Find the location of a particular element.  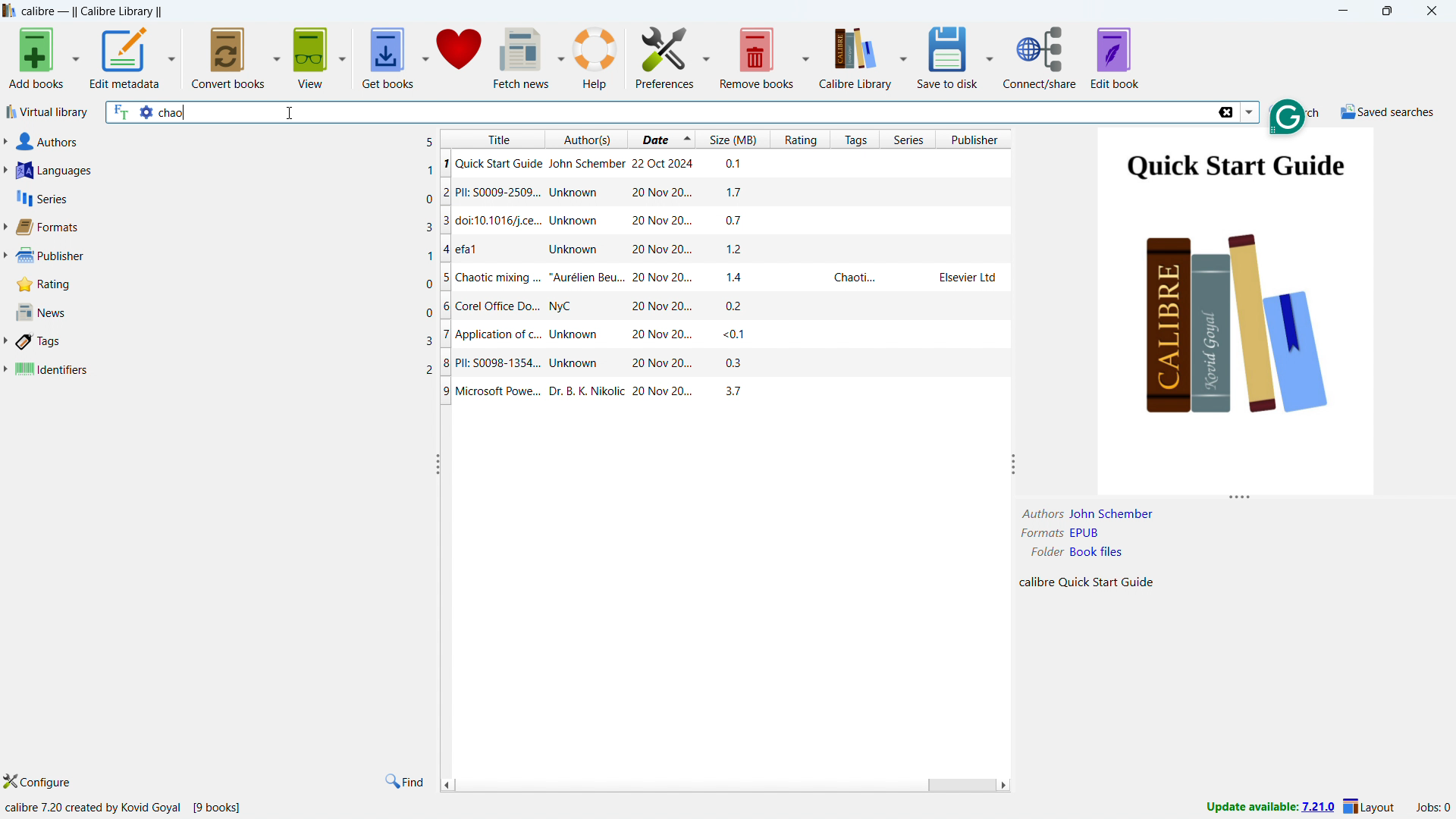

Folder is located at coordinates (1037, 555).